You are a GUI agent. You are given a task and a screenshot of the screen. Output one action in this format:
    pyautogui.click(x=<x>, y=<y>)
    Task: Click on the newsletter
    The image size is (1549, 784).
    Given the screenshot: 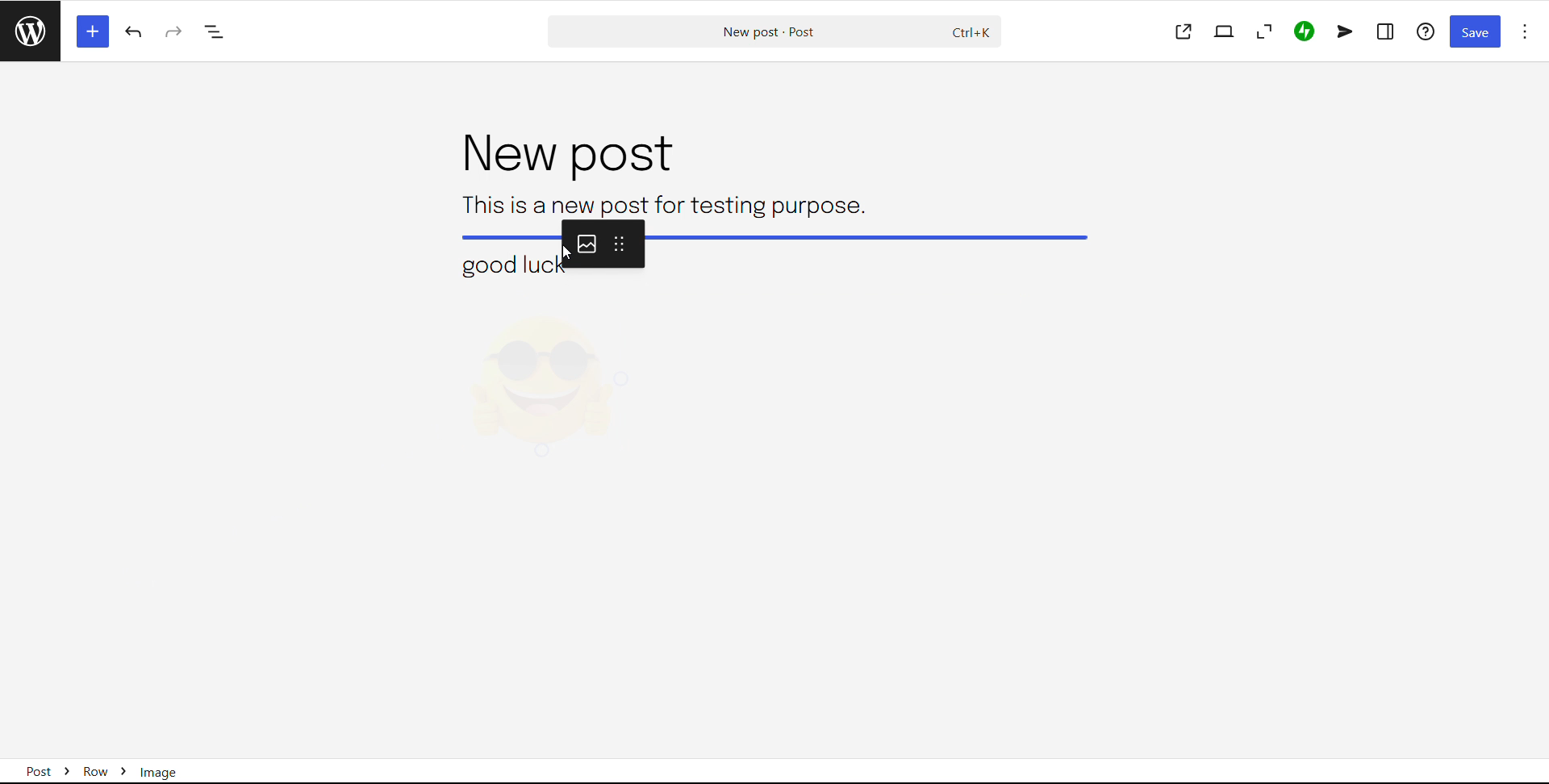 What is the action you would take?
    pyautogui.click(x=1345, y=31)
    